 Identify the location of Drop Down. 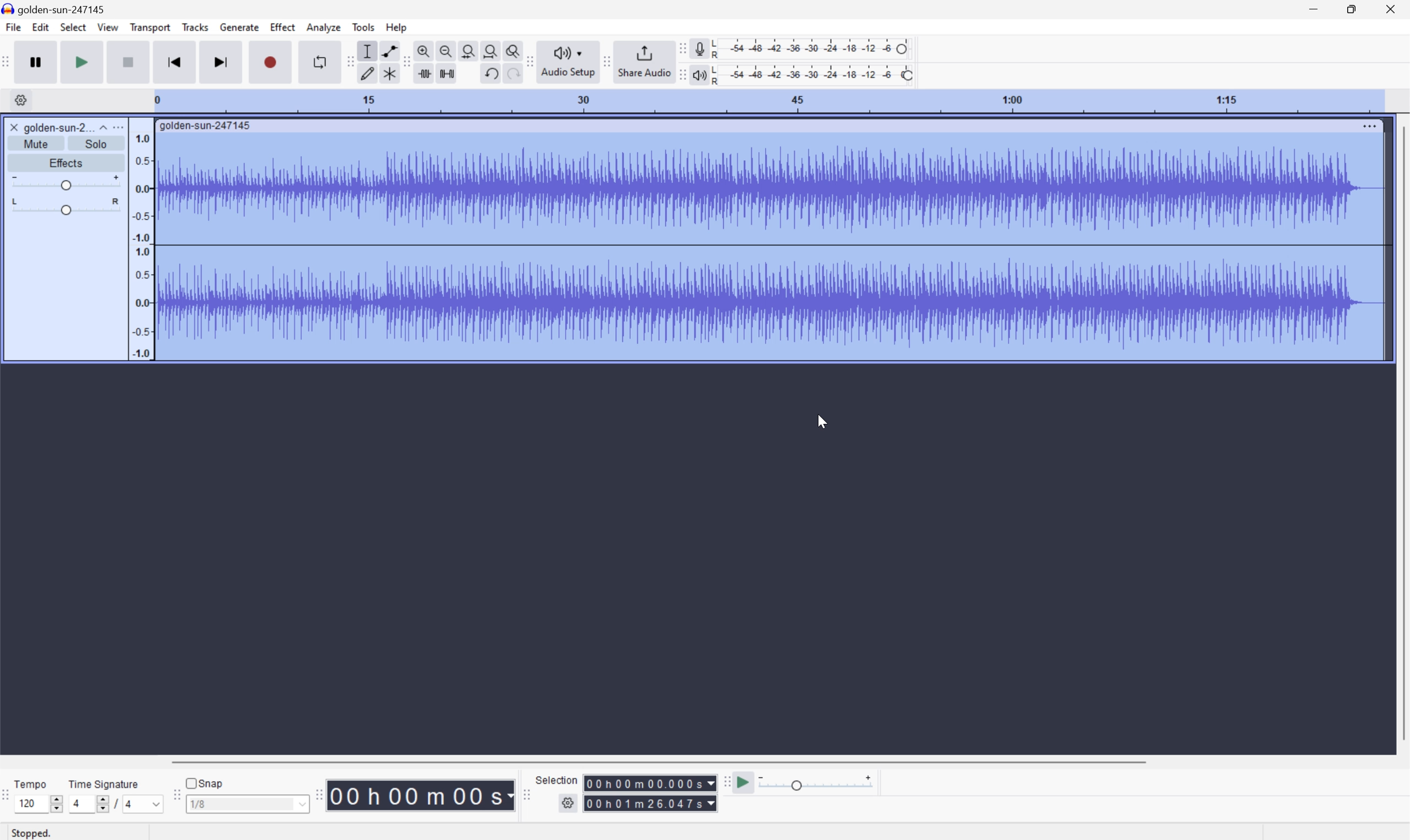
(101, 126).